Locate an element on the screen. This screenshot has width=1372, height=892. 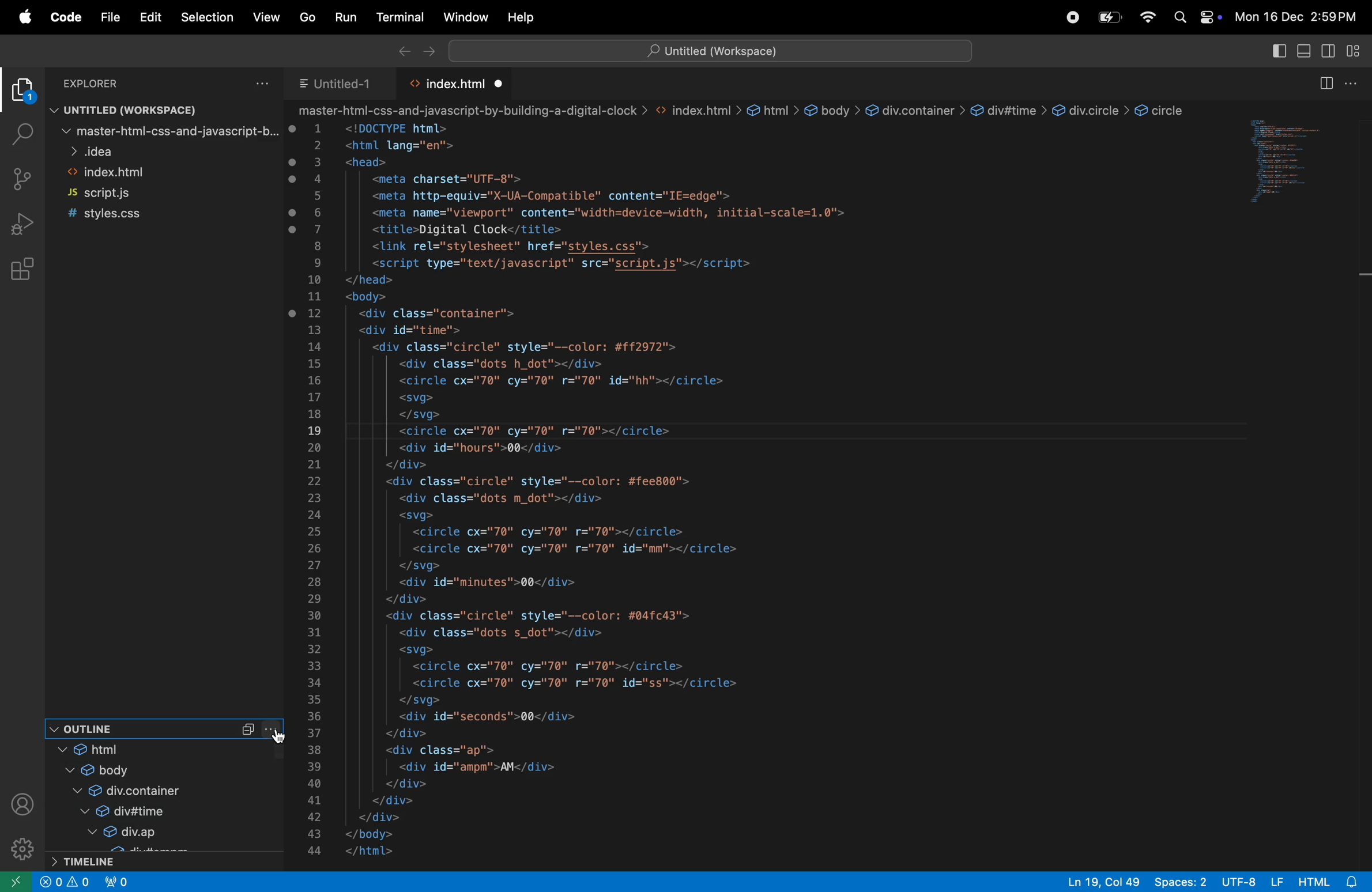
code window is located at coordinates (1299, 158).